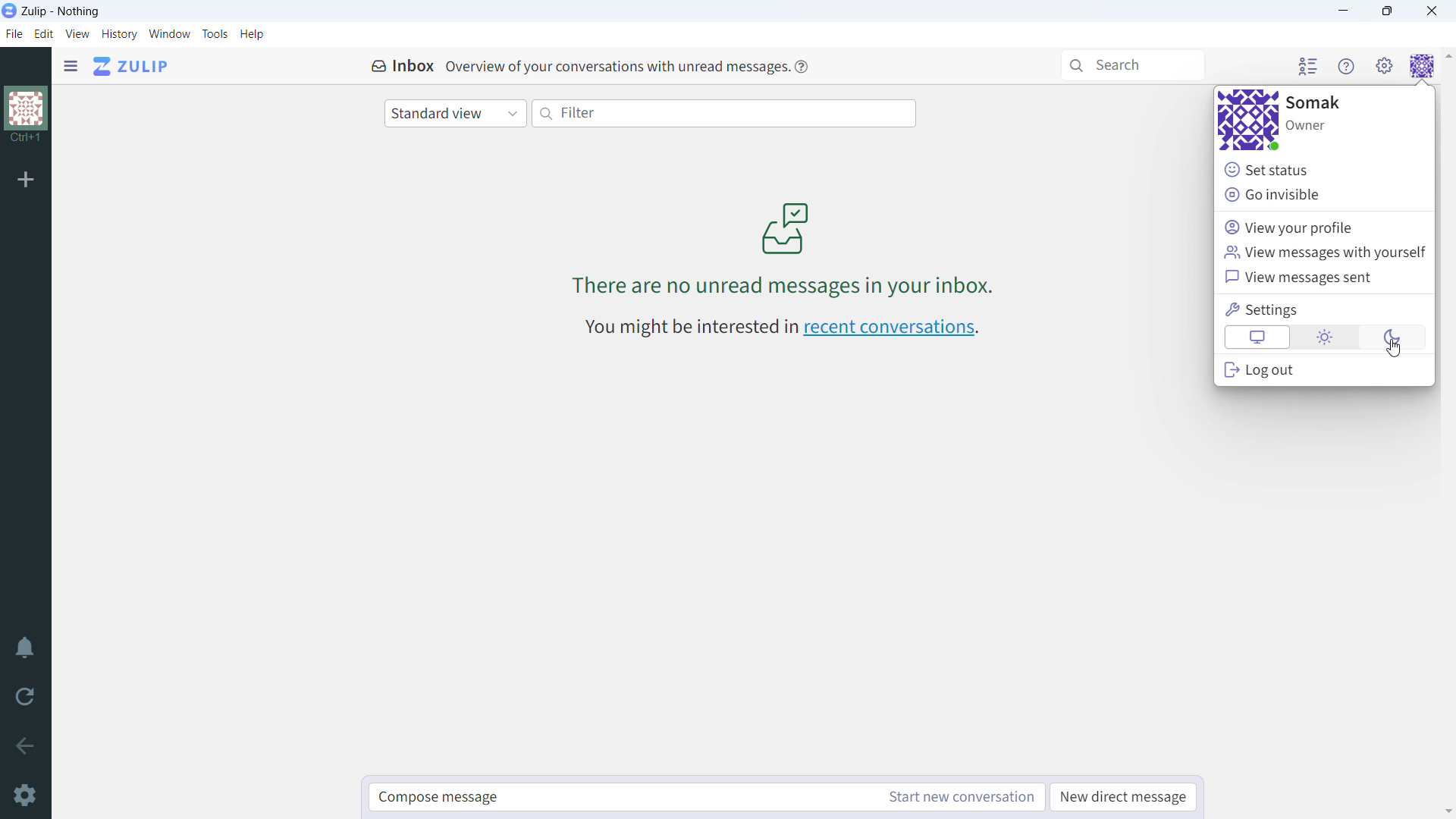  Describe the element at coordinates (1306, 126) in the screenshot. I see `designation` at that location.